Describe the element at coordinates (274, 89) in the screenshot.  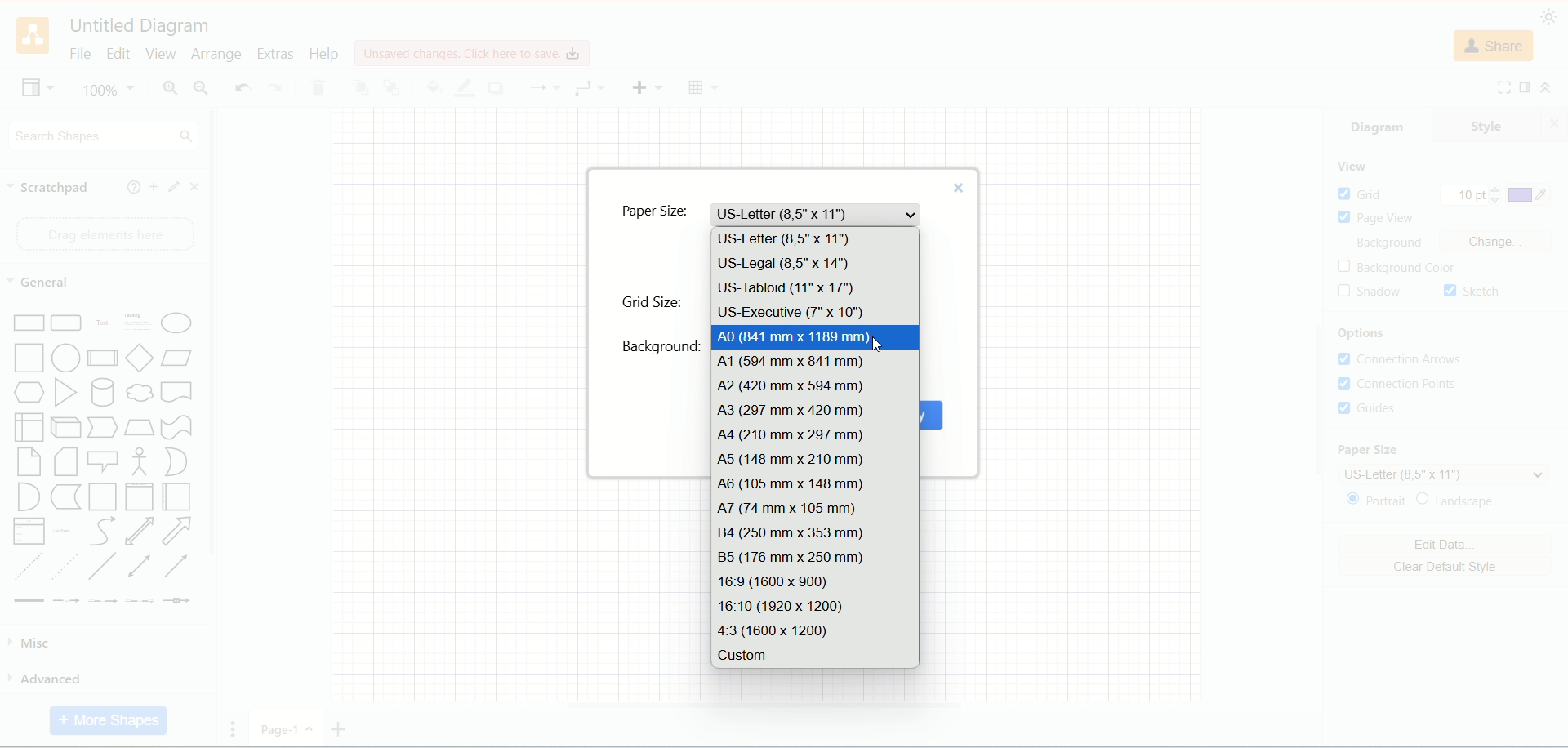
I see `redo` at that location.